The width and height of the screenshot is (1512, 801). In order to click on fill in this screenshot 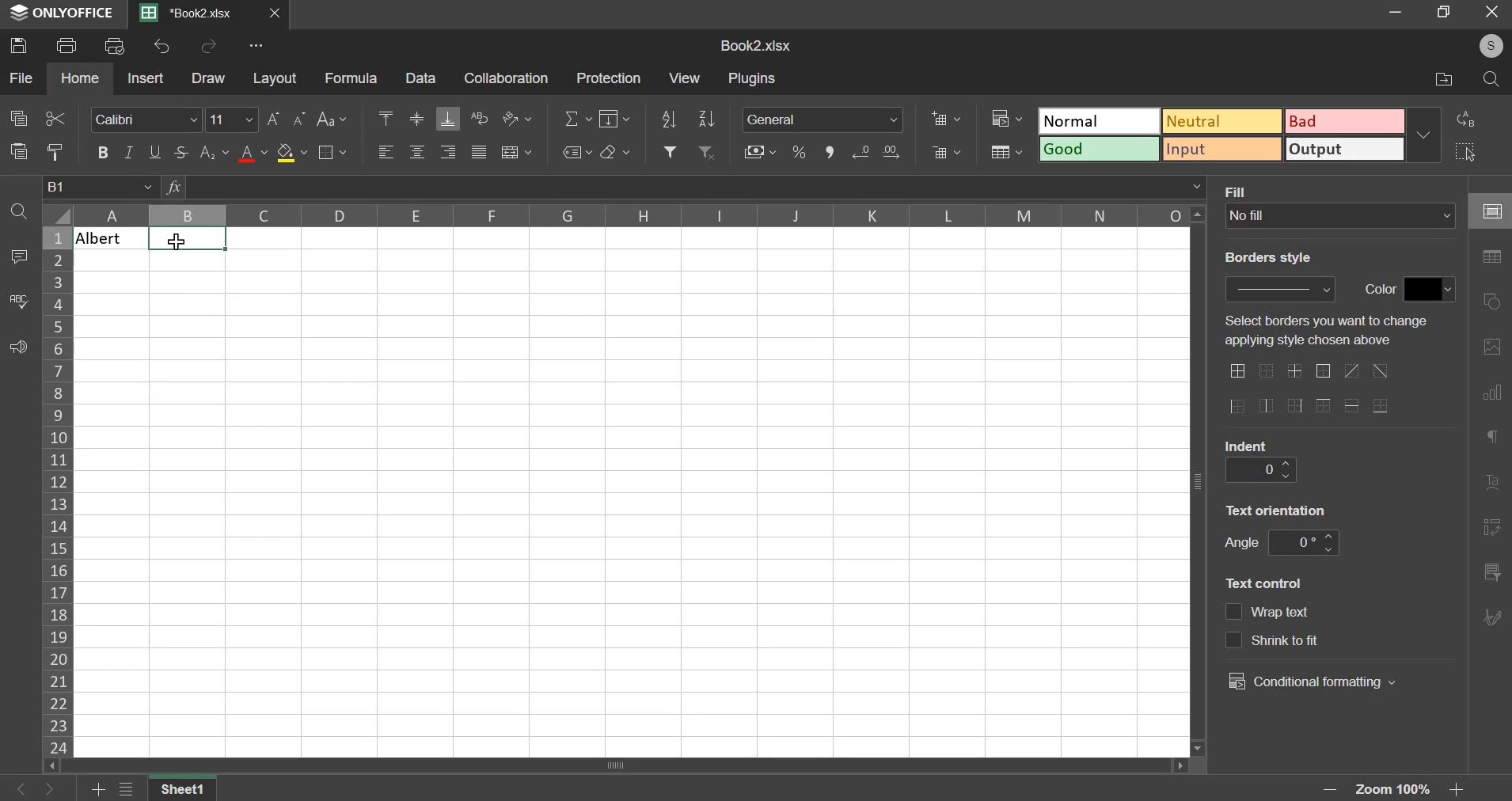, I will do `click(1244, 190)`.